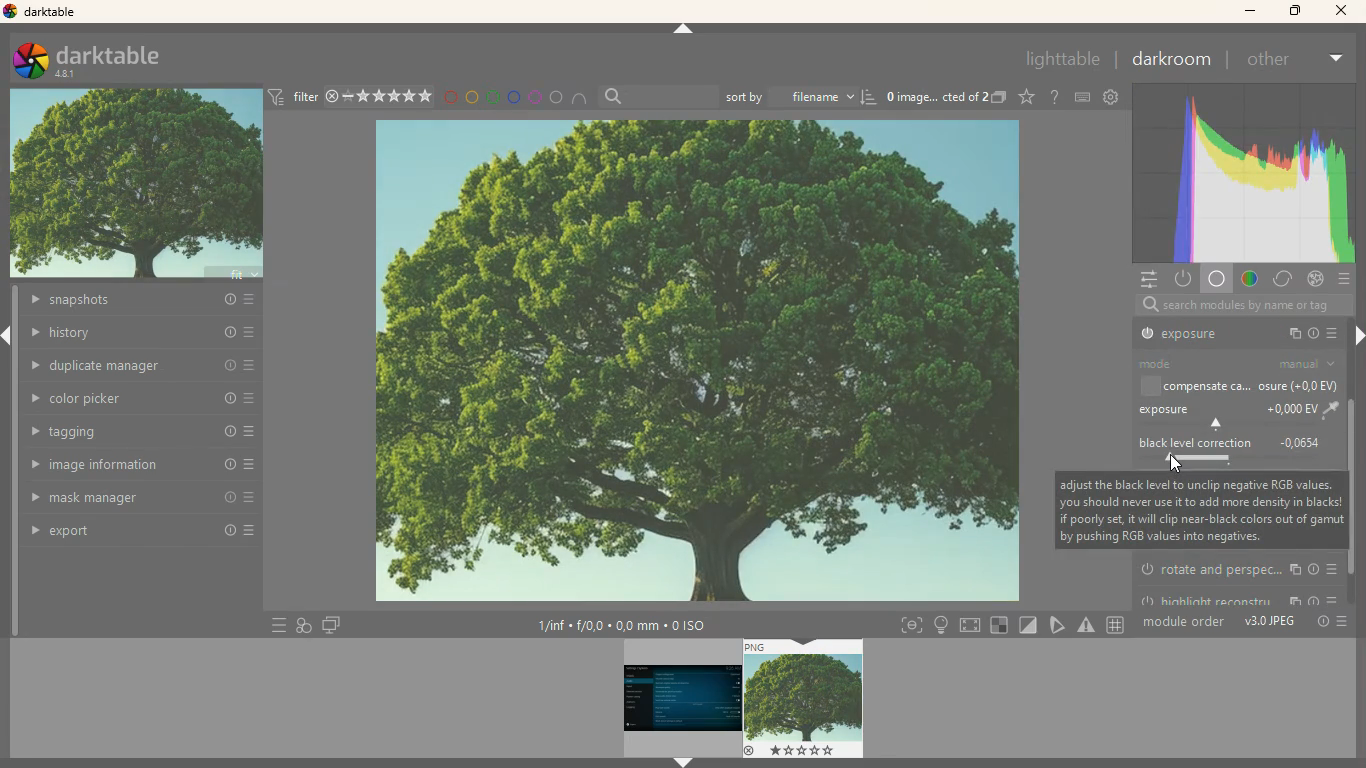  I want to click on color picker, so click(143, 398).